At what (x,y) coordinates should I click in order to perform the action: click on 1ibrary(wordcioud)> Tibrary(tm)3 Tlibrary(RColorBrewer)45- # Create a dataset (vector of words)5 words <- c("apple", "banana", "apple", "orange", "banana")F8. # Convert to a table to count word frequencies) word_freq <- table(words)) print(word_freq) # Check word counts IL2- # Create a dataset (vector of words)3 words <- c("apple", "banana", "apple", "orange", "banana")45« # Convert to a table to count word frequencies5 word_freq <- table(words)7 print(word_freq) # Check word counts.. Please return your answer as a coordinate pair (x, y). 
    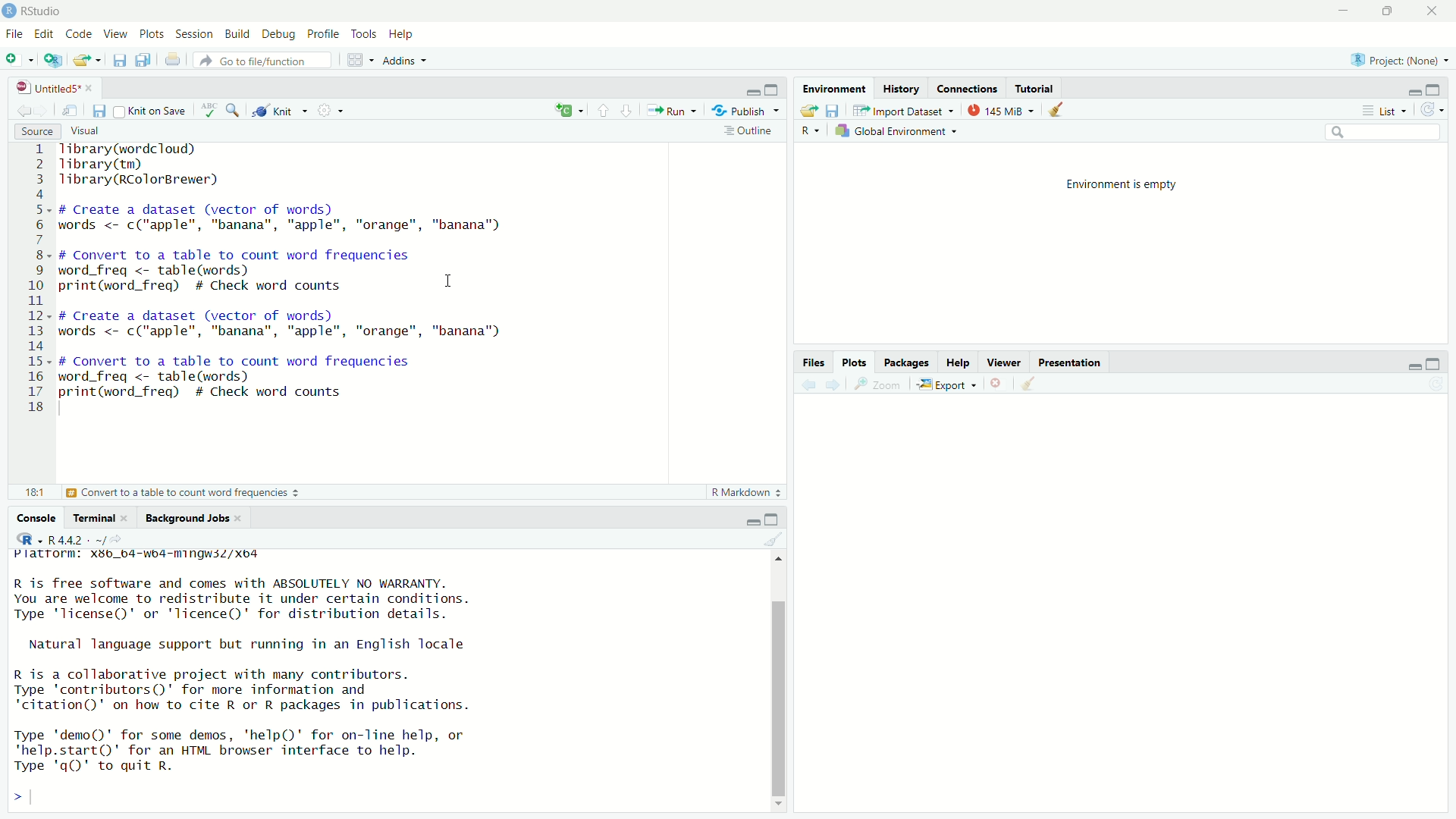
    Looking at the image, I should click on (284, 274).